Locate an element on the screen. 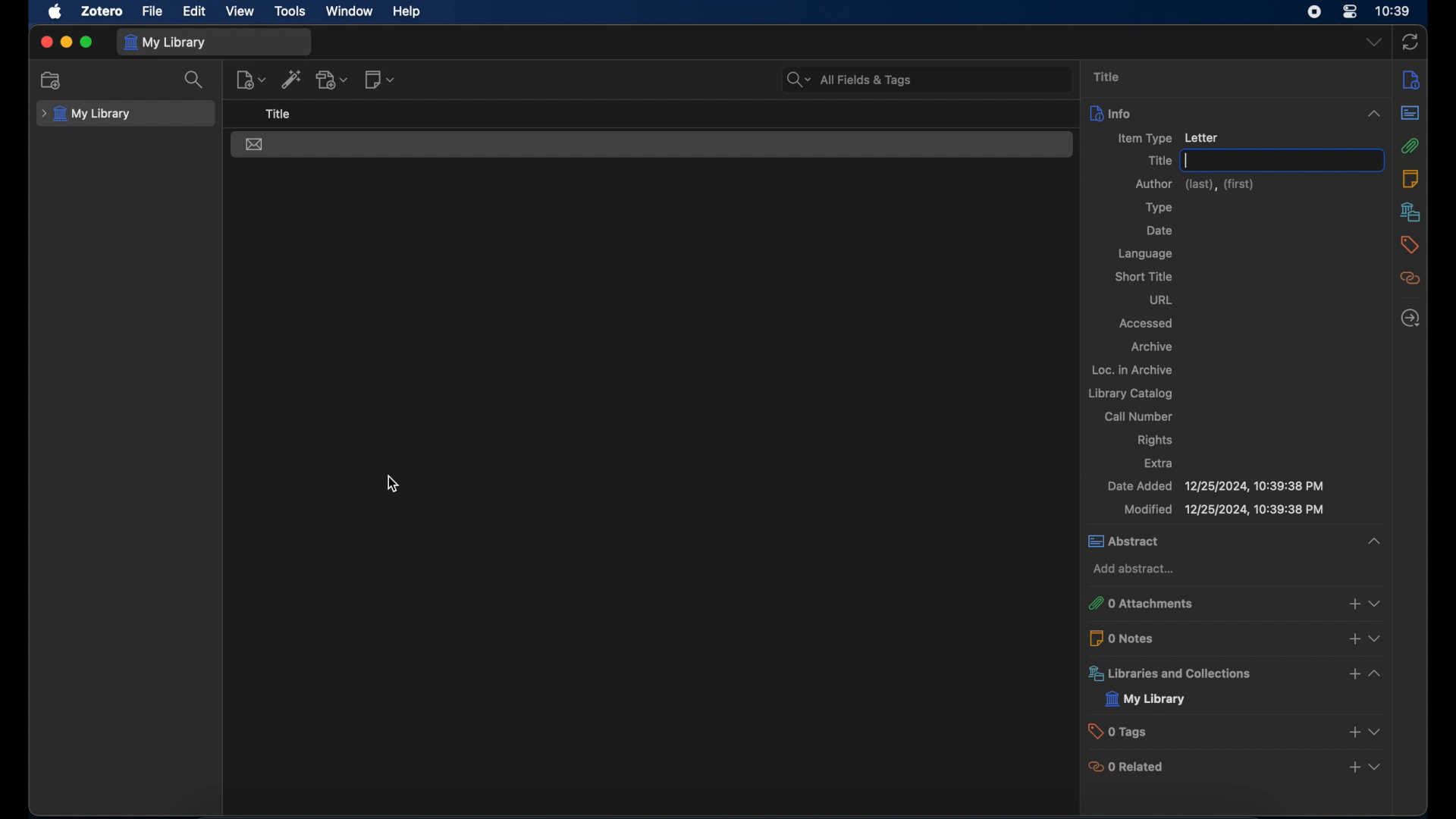 Image resolution: width=1456 pixels, height=819 pixels. info is located at coordinates (1411, 80).